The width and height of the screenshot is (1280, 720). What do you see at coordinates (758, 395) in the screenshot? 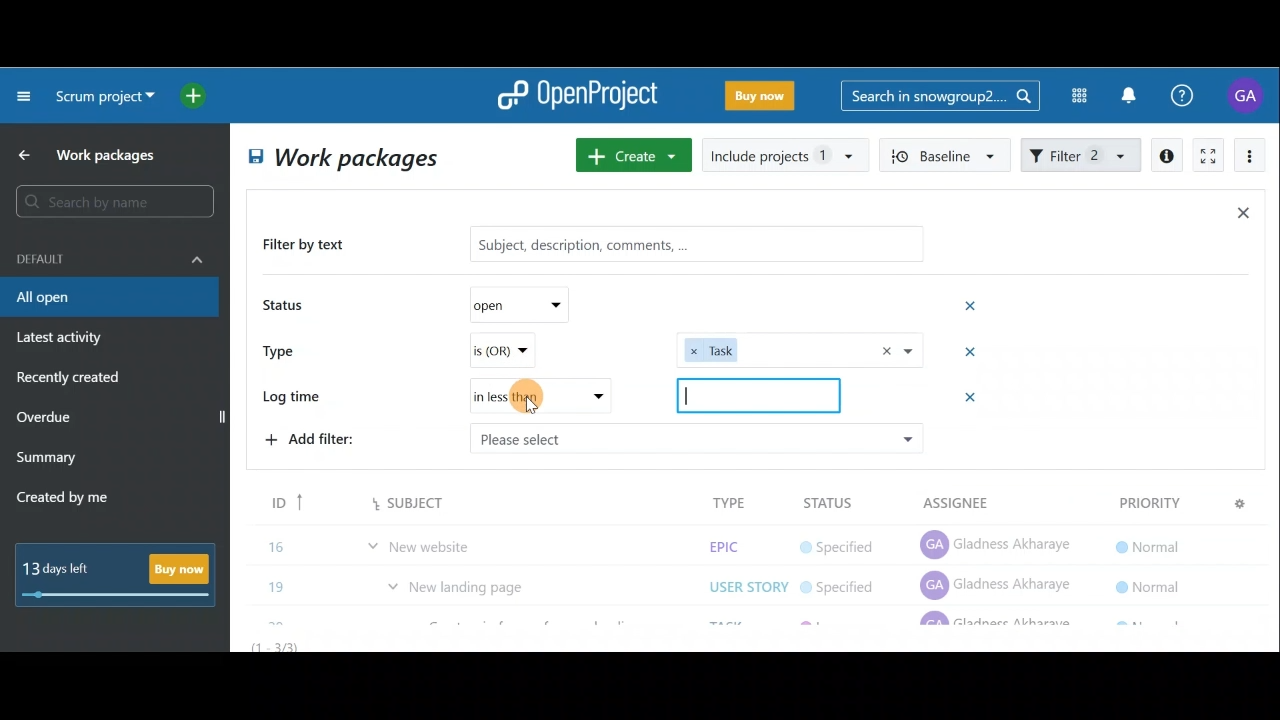
I see `` at bounding box center [758, 395].